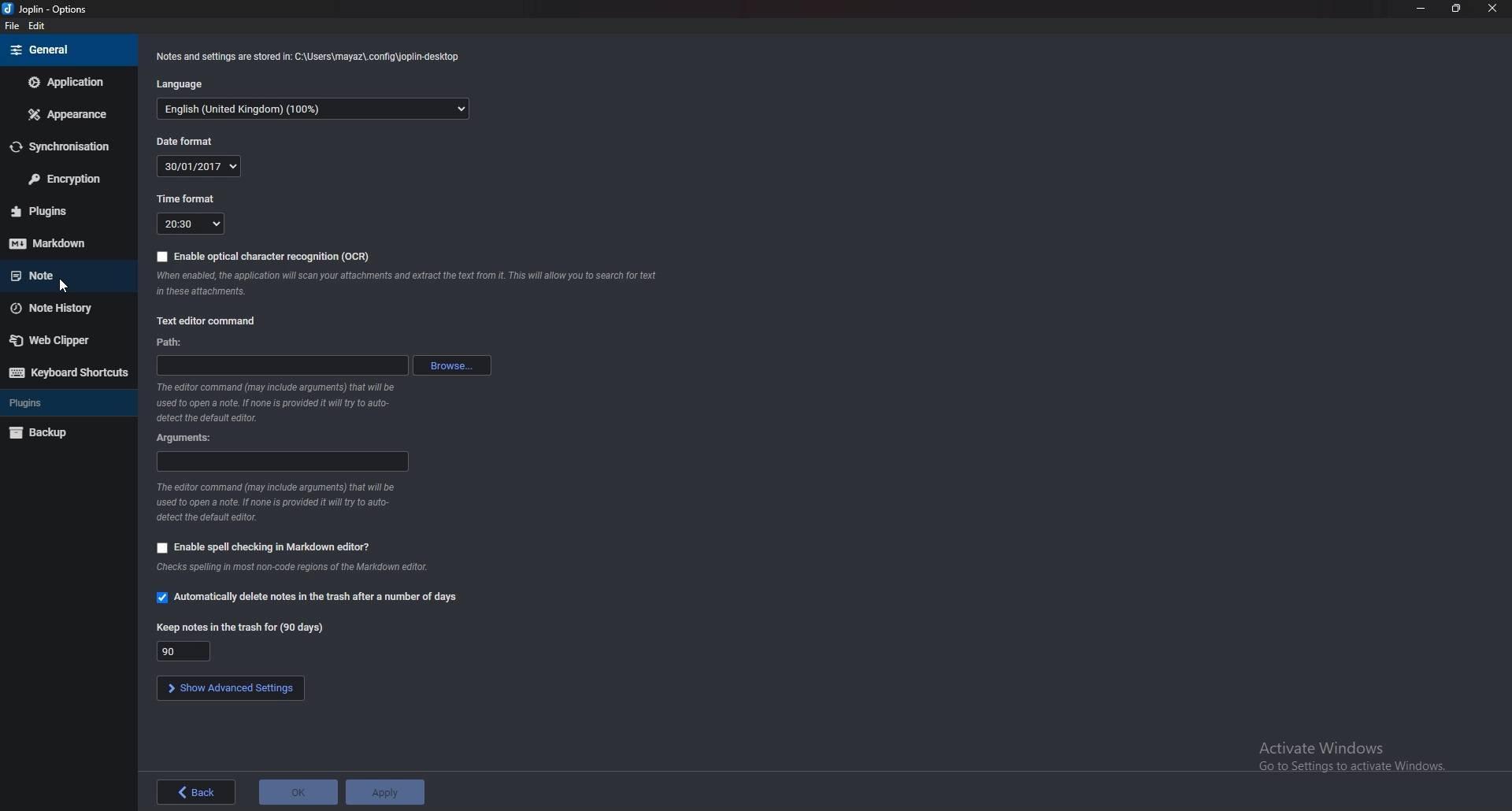 Image resolution: width=1512 pixels, height=811 pixels. I want to click on Encryption, so click(67, 178).